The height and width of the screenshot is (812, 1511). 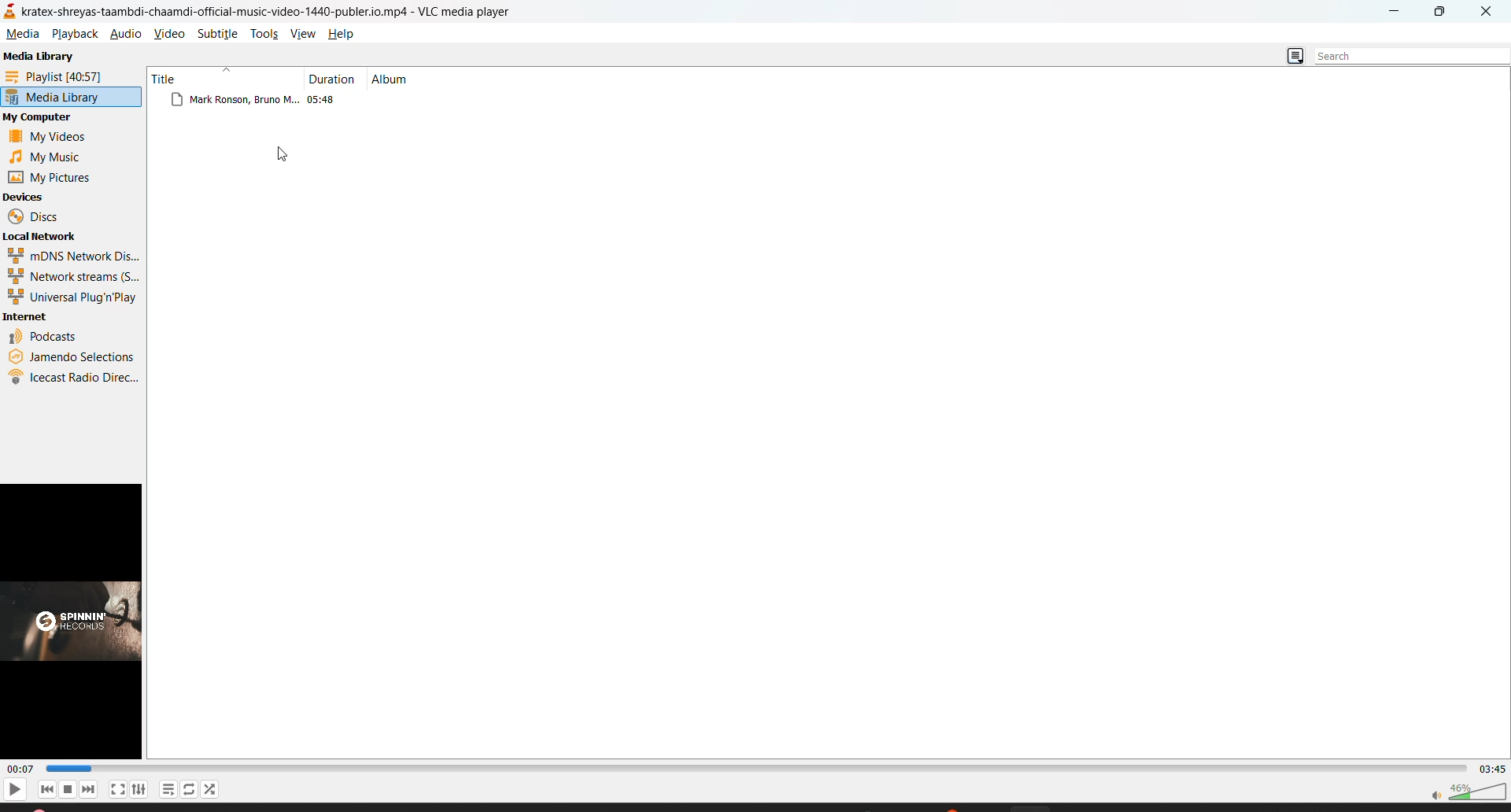 What do you see at coordinates (72, 33) in the screenshot?
I see `playback` at bounding box center [72, 33].